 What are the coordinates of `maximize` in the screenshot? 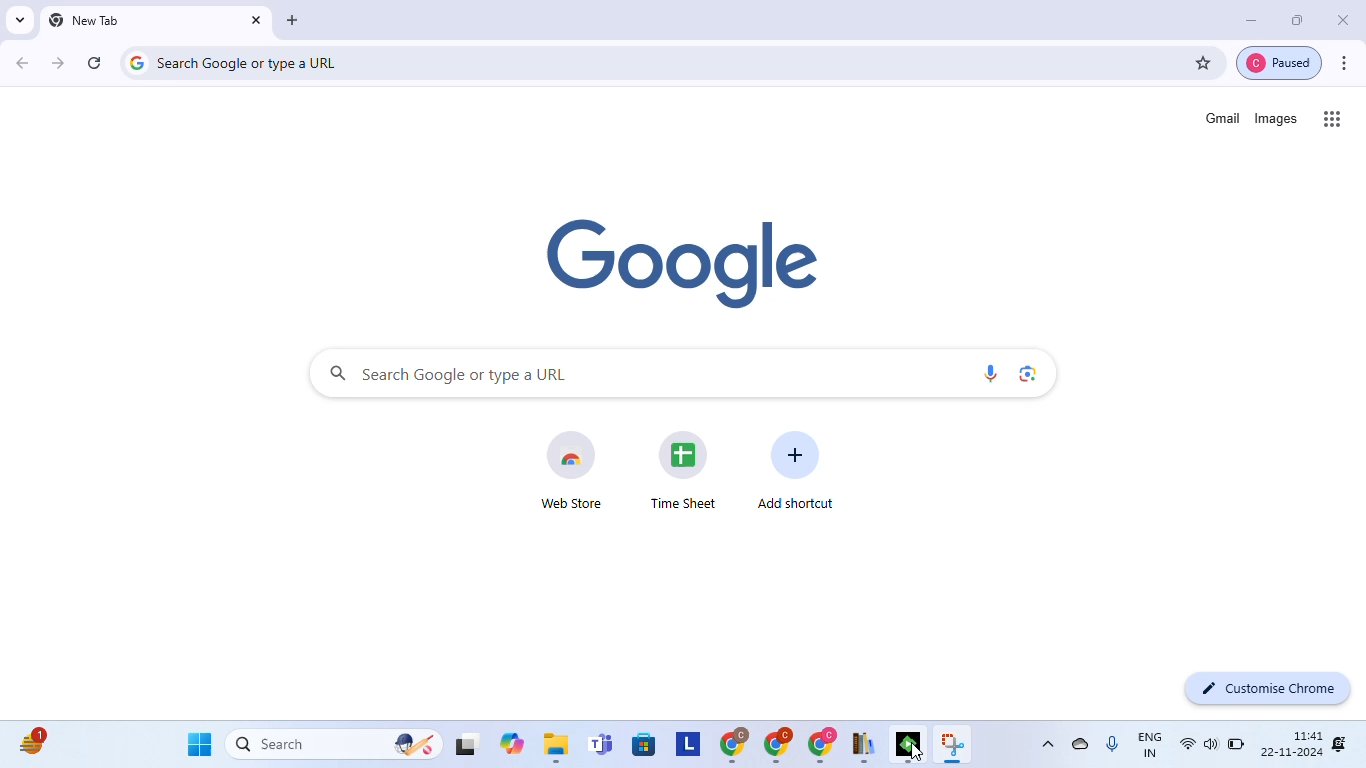 It's located at (1299, 21).